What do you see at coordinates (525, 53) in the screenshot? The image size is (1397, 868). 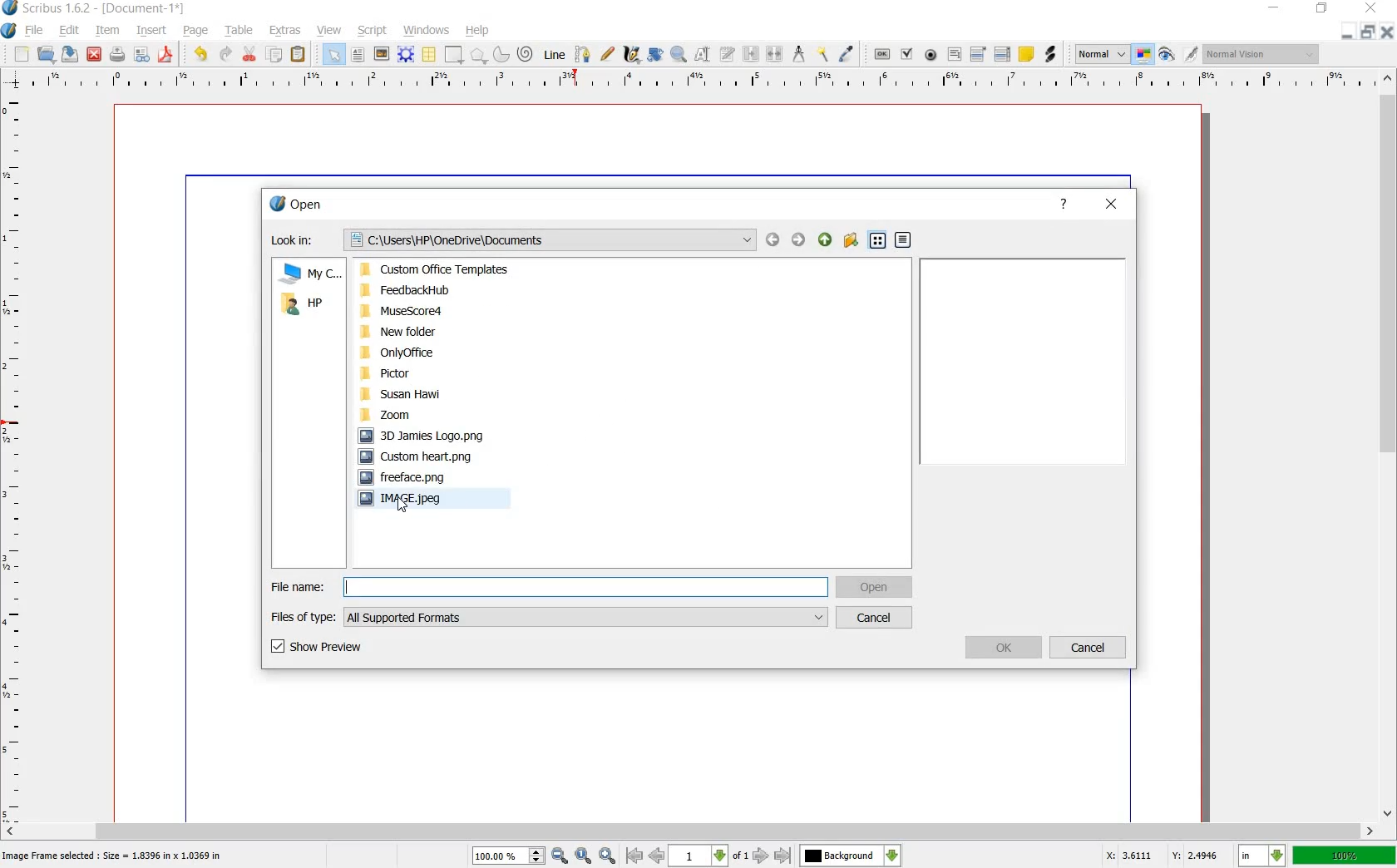 I see `spiral` at bounding box center [525, 53].